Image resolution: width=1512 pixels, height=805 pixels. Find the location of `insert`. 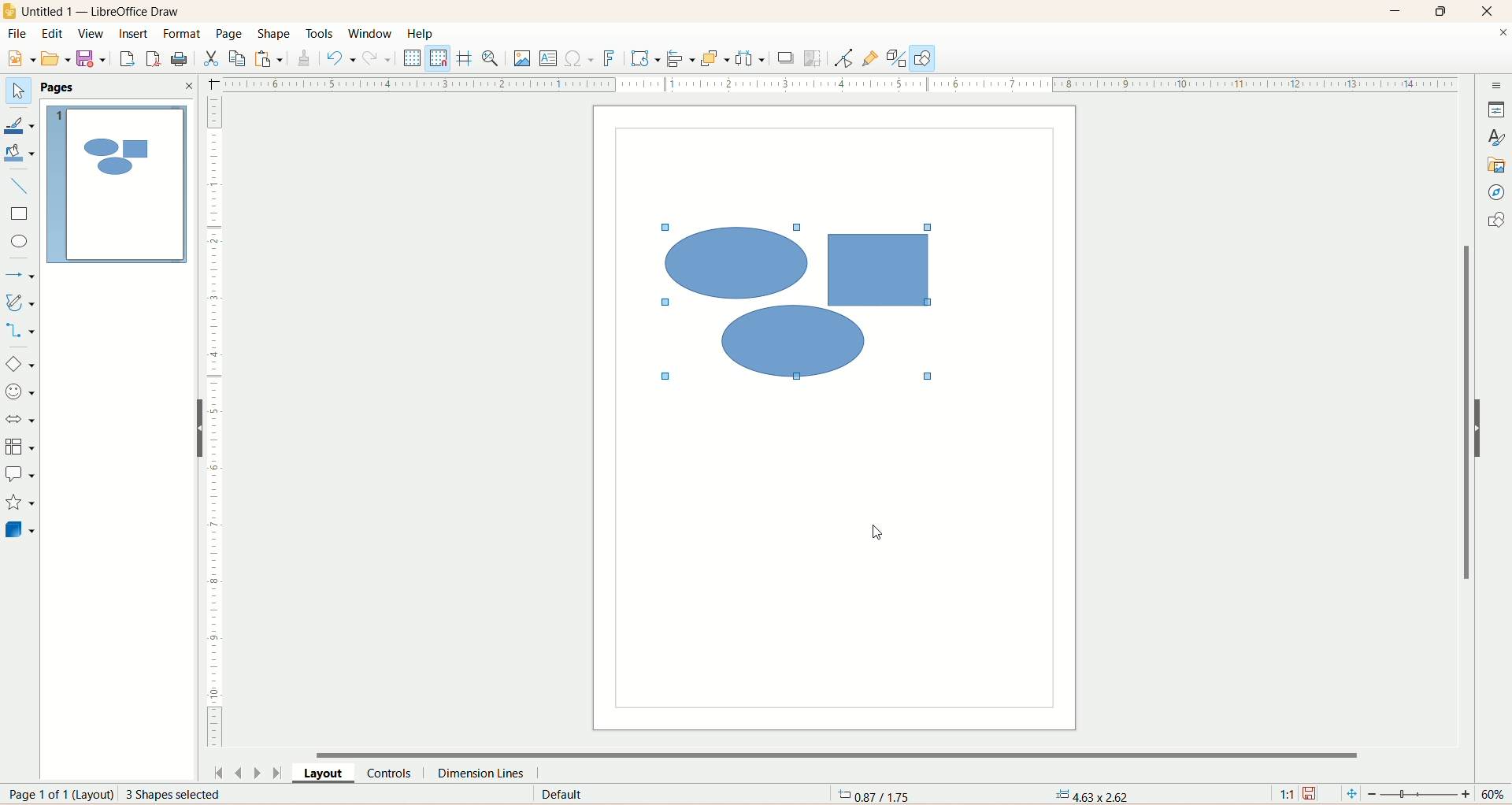

insert is located at coordinates (138, 39).